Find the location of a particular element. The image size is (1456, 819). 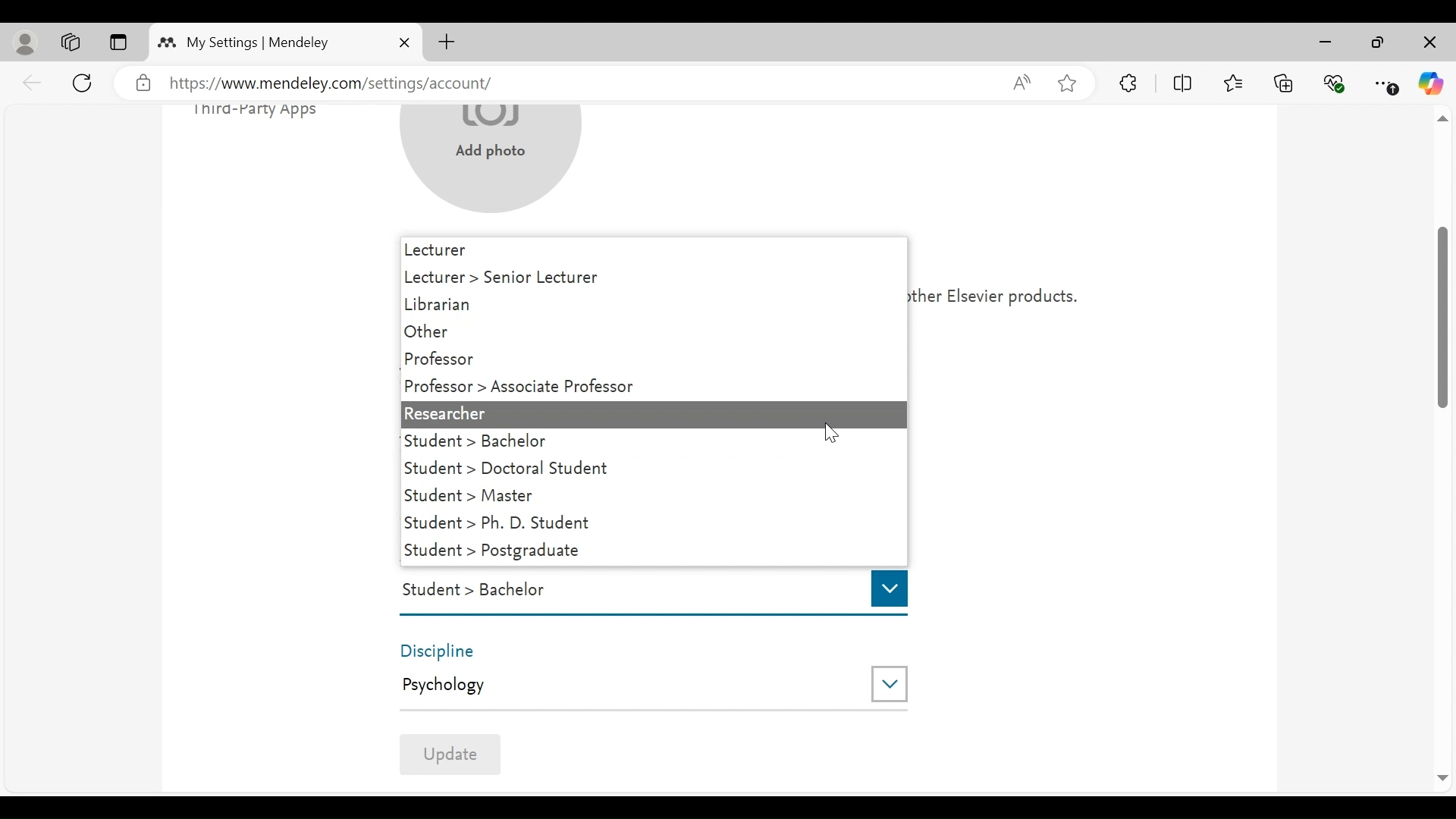

Scroll Down is located at coordinates (1442, 779).